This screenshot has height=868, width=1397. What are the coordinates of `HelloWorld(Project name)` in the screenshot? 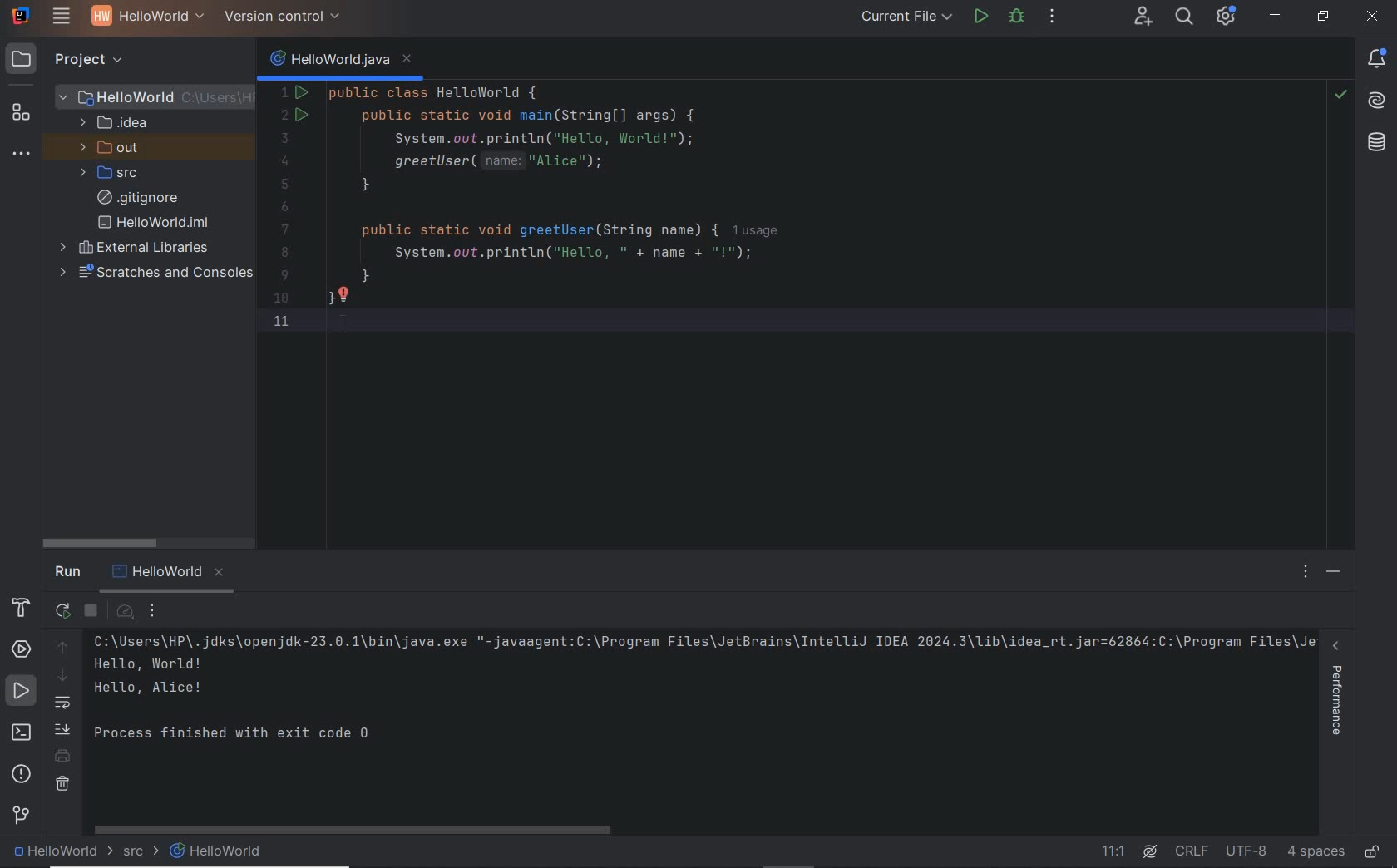 It's located at (144, 18).